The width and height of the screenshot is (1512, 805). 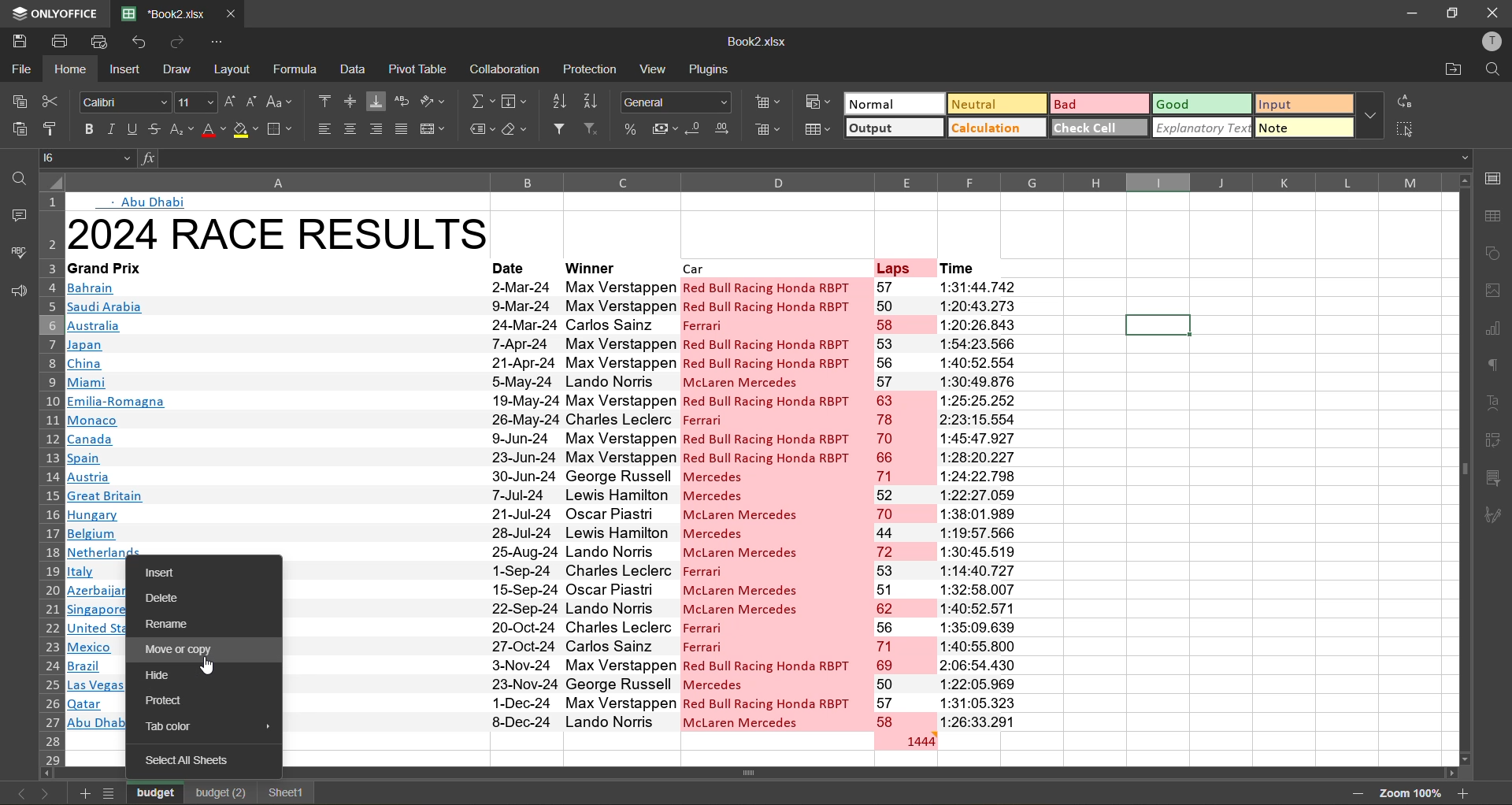 I want to click on charts, so click(x=1495, y=331).